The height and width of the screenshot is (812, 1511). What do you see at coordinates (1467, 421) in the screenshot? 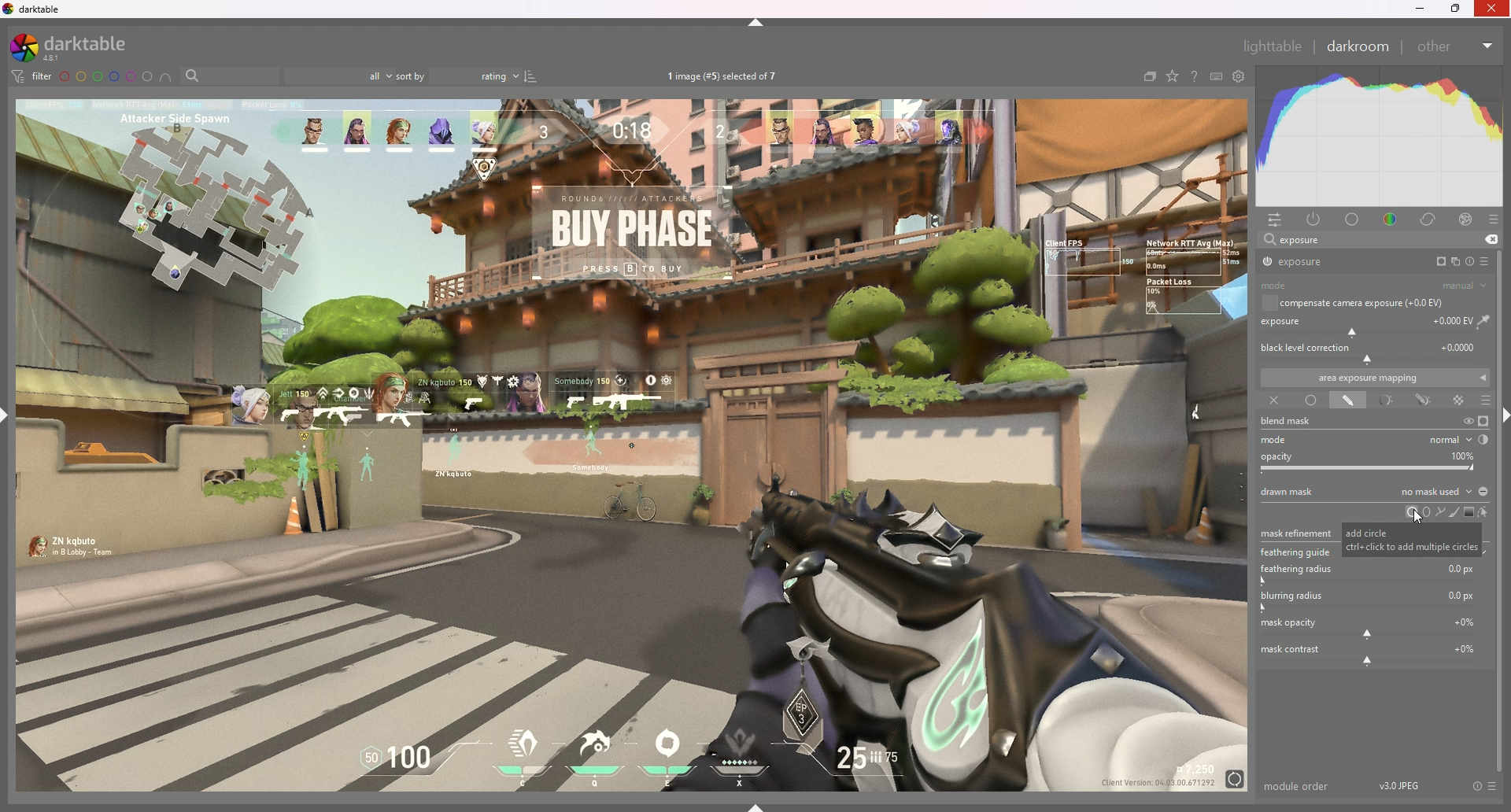
I see `temporarily switch off` at bounding box center [1467, 421].